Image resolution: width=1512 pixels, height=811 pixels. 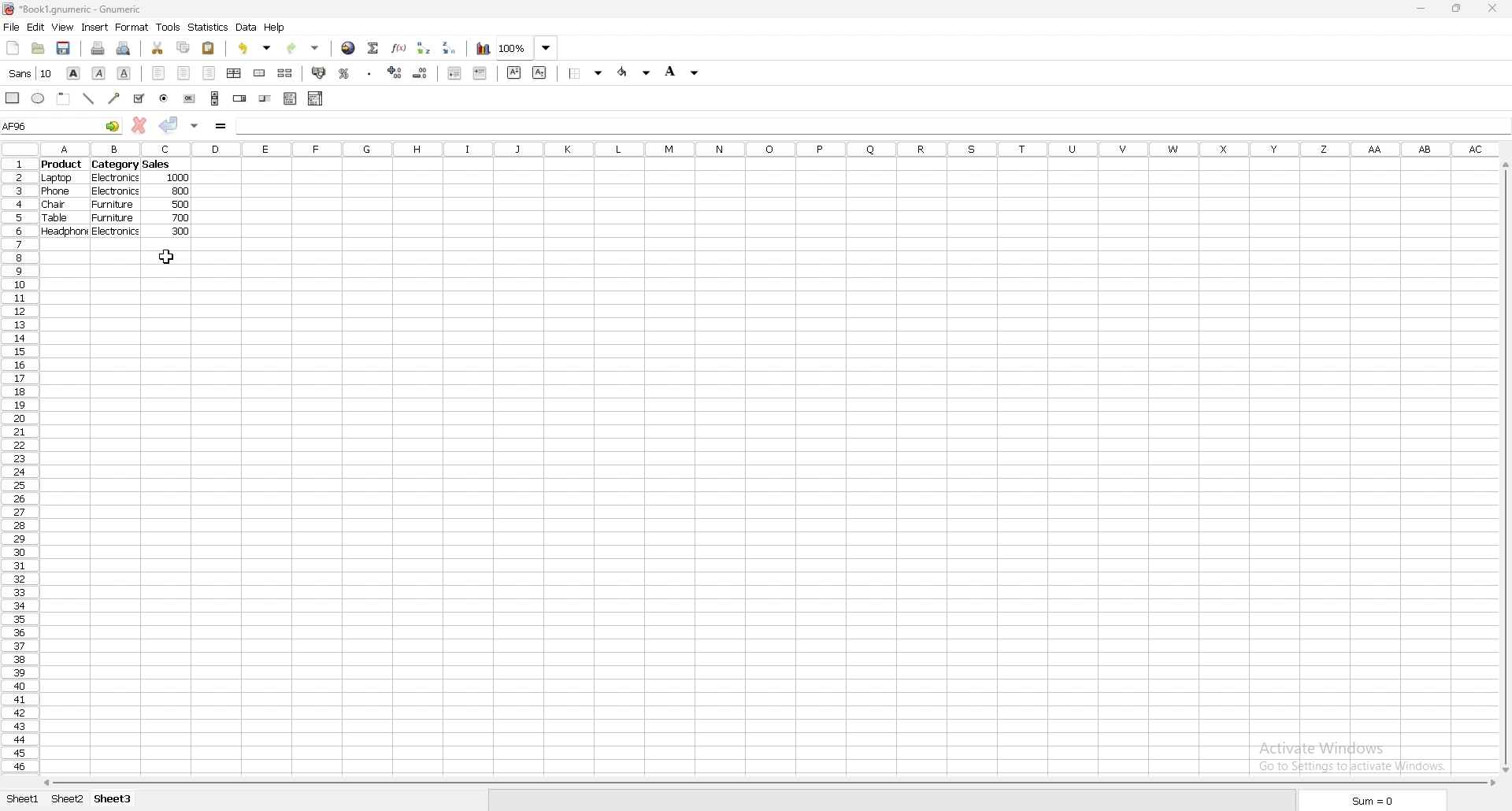 What do you see at coordinates (116, 190) in the screenshot?
I see `electronics` at bounding box center [116, 190].